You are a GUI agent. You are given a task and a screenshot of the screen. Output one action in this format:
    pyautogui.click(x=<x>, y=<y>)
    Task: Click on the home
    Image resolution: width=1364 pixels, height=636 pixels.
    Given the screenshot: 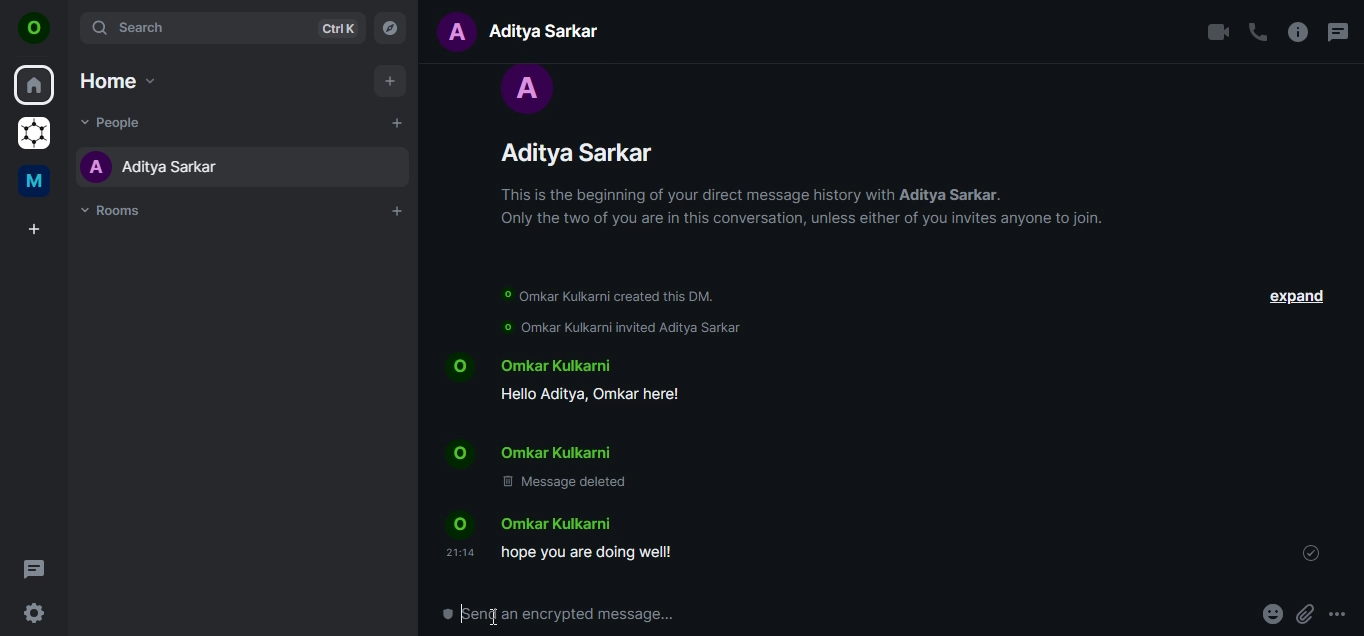 What is the action you would take?
    pyautogui.click(x=120, y=80)
    